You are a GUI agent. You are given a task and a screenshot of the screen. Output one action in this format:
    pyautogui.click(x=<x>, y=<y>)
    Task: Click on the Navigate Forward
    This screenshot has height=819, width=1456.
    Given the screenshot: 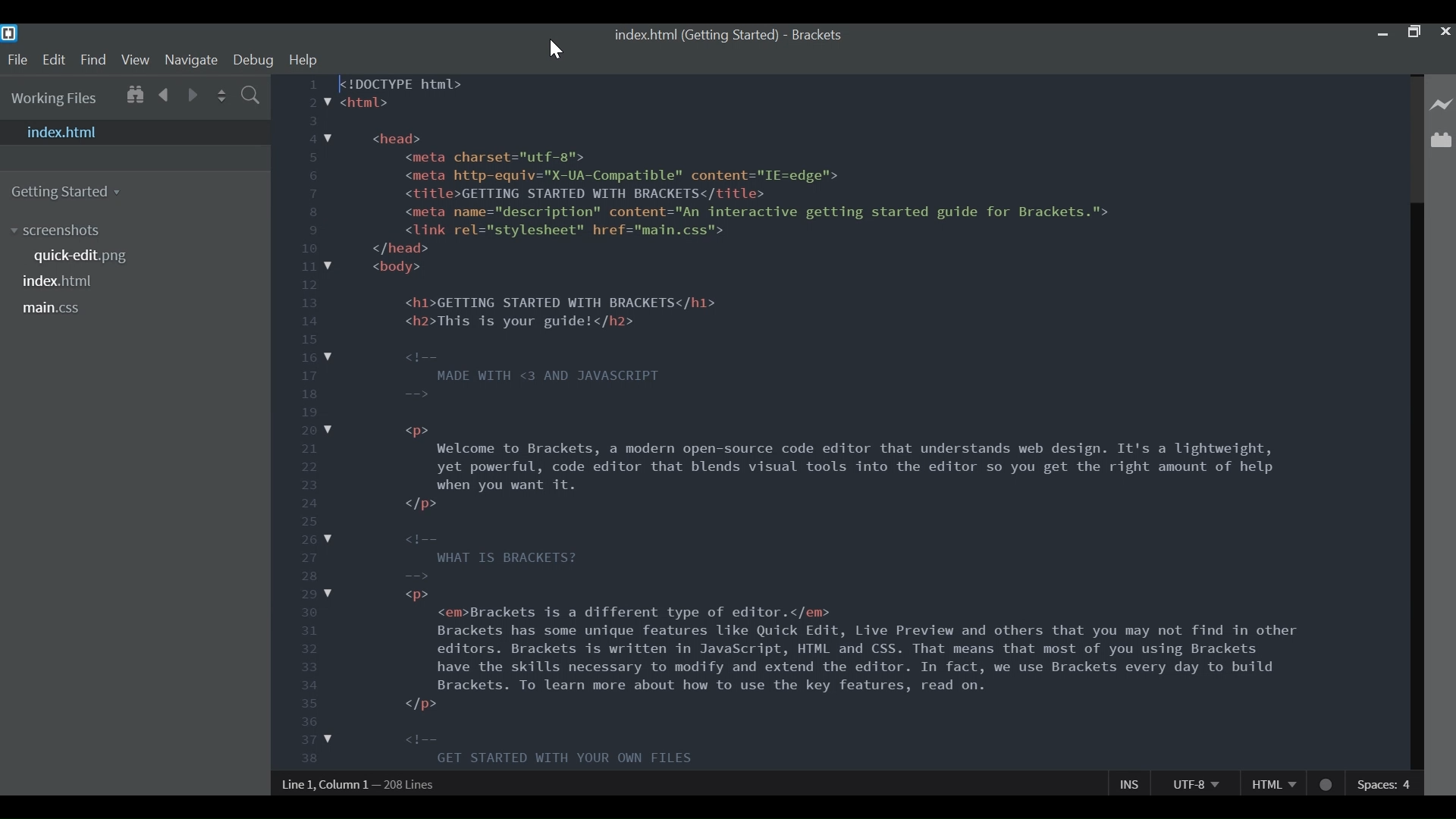 What is the action you would take?
    pyautogui.click(x=190, y=96)
    